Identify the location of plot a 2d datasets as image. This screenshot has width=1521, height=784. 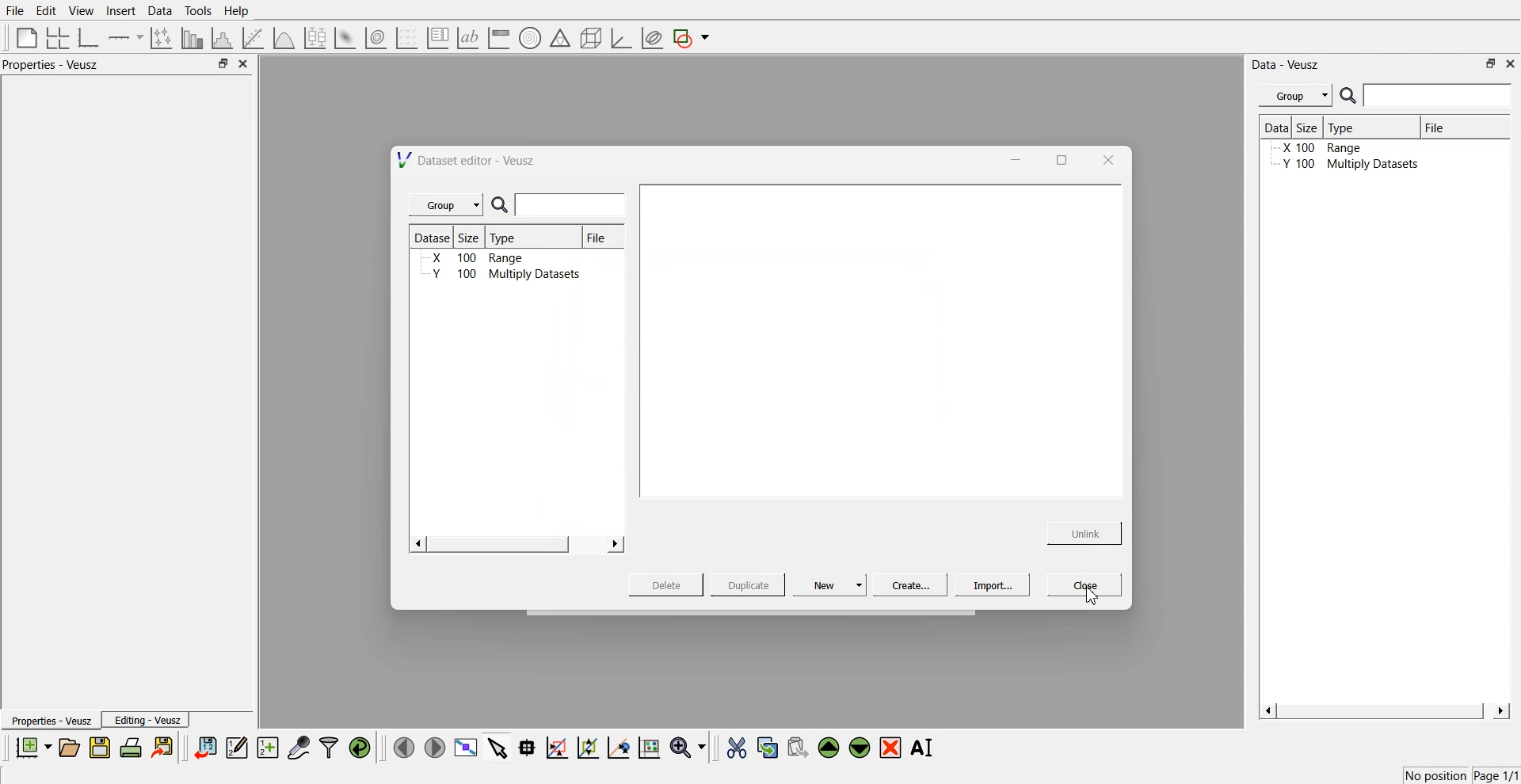
(344, 37).